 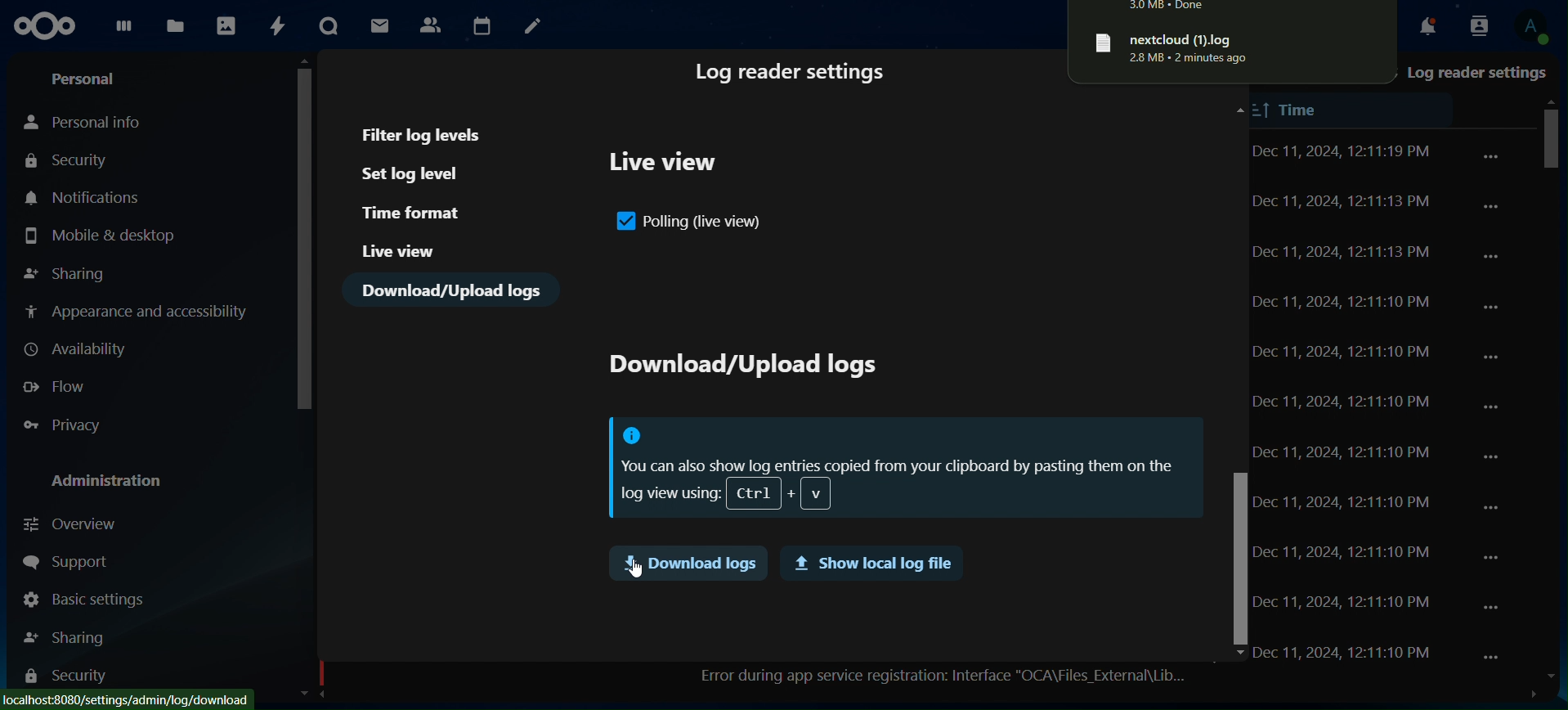 I want to click on copy + paste log view information, so click(x=902, y=469).